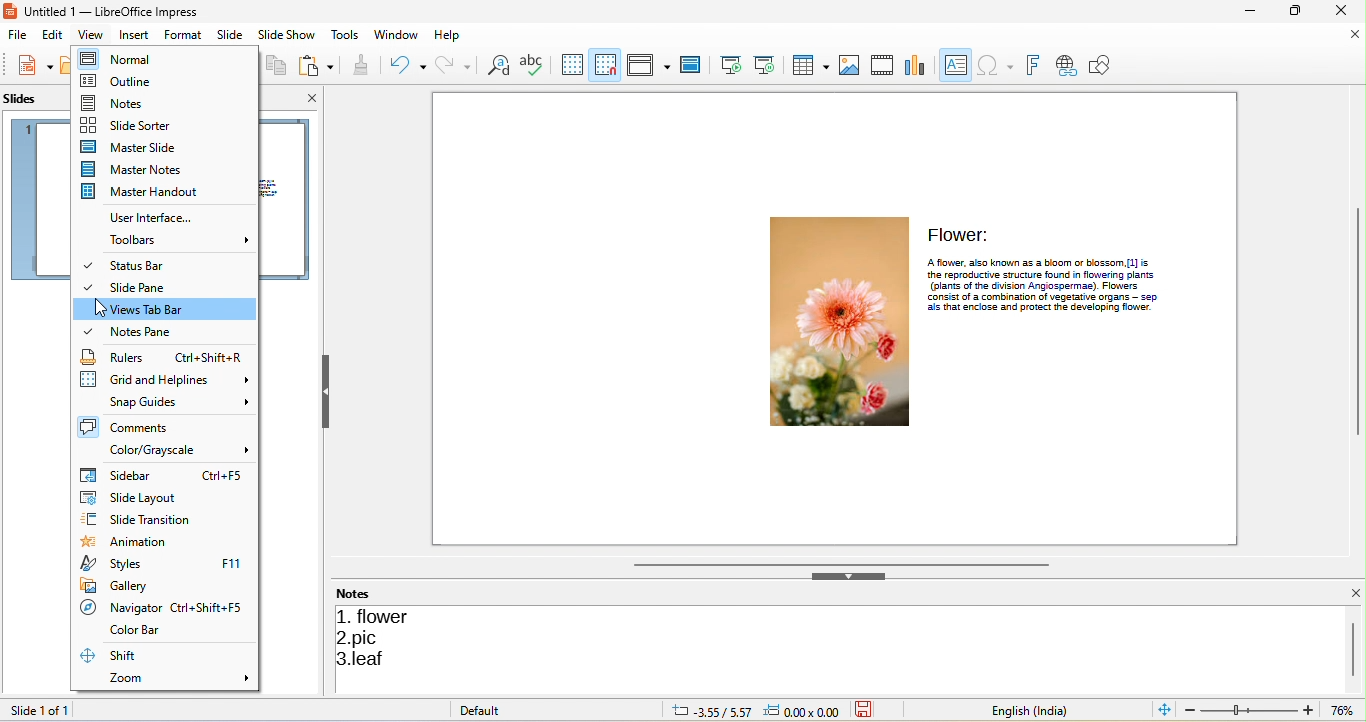 This screenshot has height=722, width=1366. Describe the element at coordinates (1044, 275) in the screenshot. I see `the reproductive structure found in flowernng plants` at that location.